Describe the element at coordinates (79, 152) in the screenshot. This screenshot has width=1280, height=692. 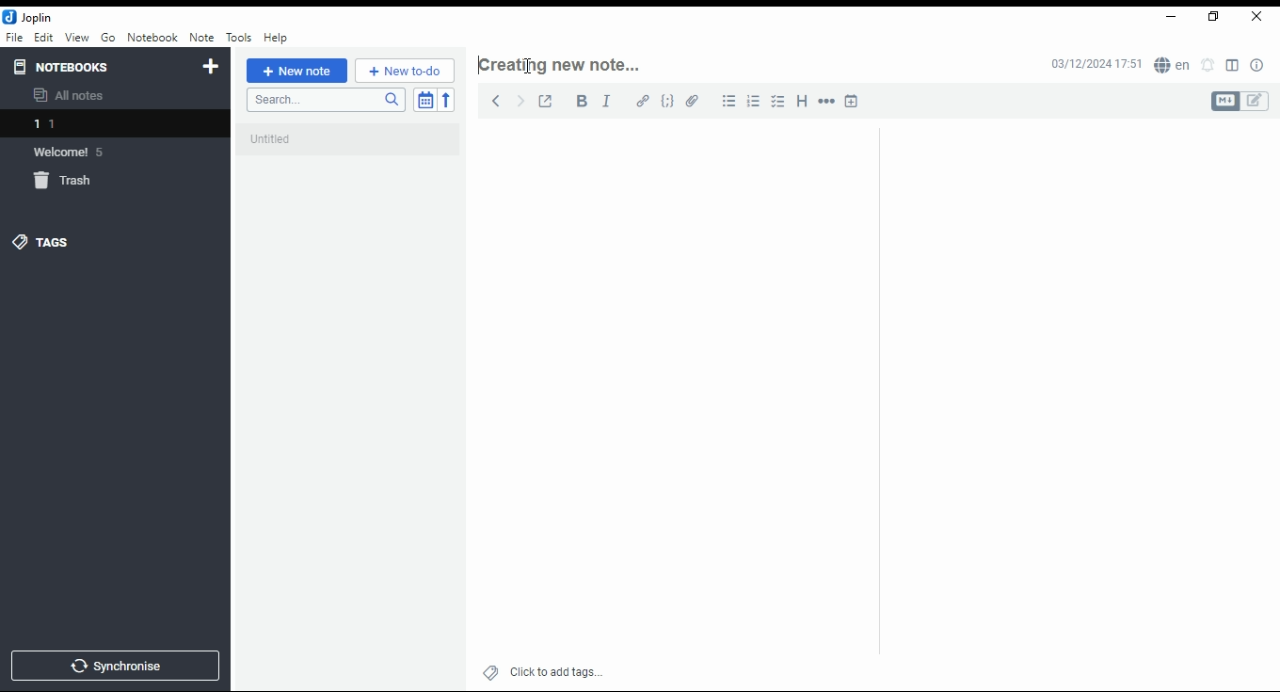
I see `Welcome 5` at that location.